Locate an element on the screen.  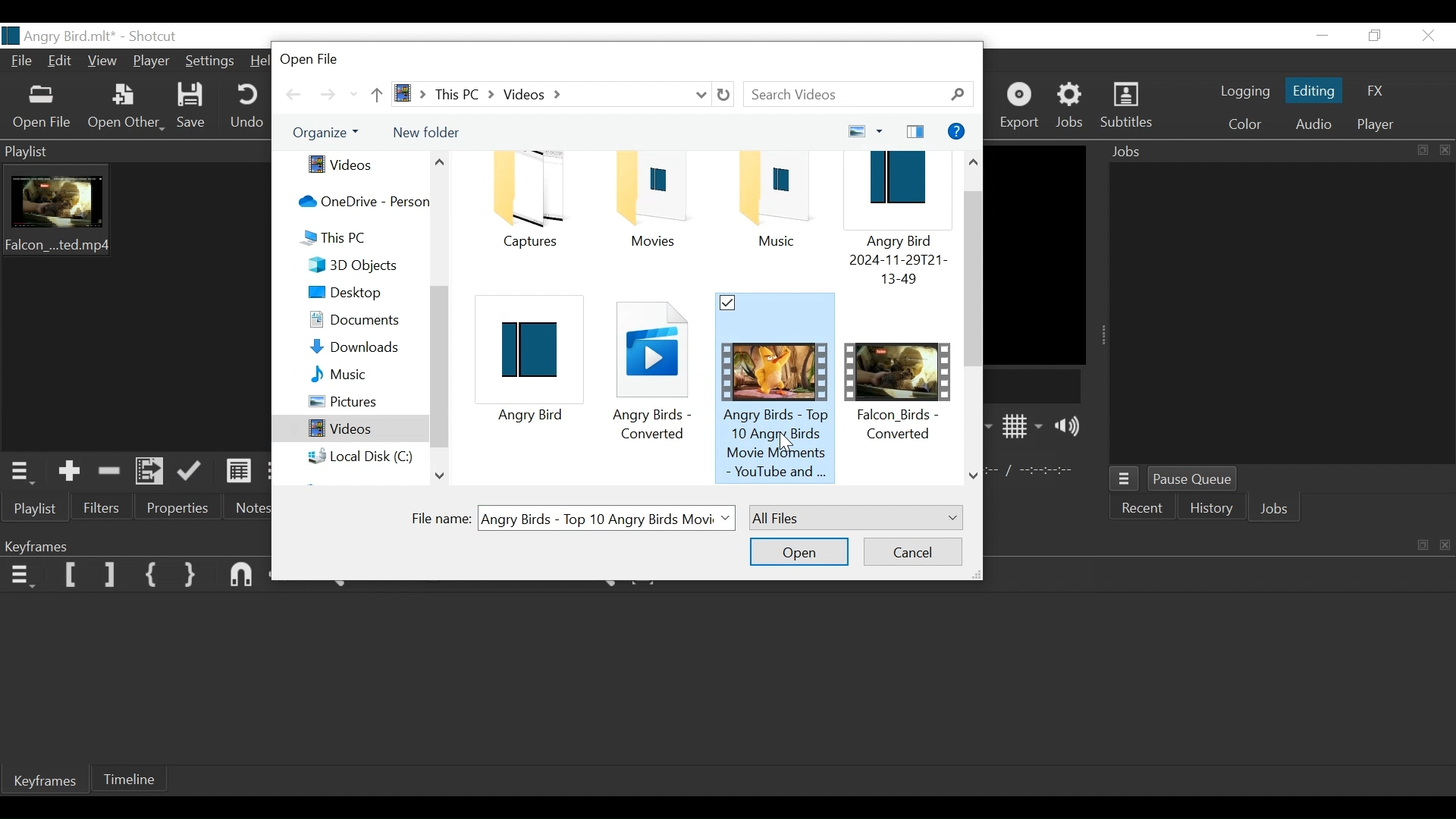
OneDrive is located at coordinates (358, 201).